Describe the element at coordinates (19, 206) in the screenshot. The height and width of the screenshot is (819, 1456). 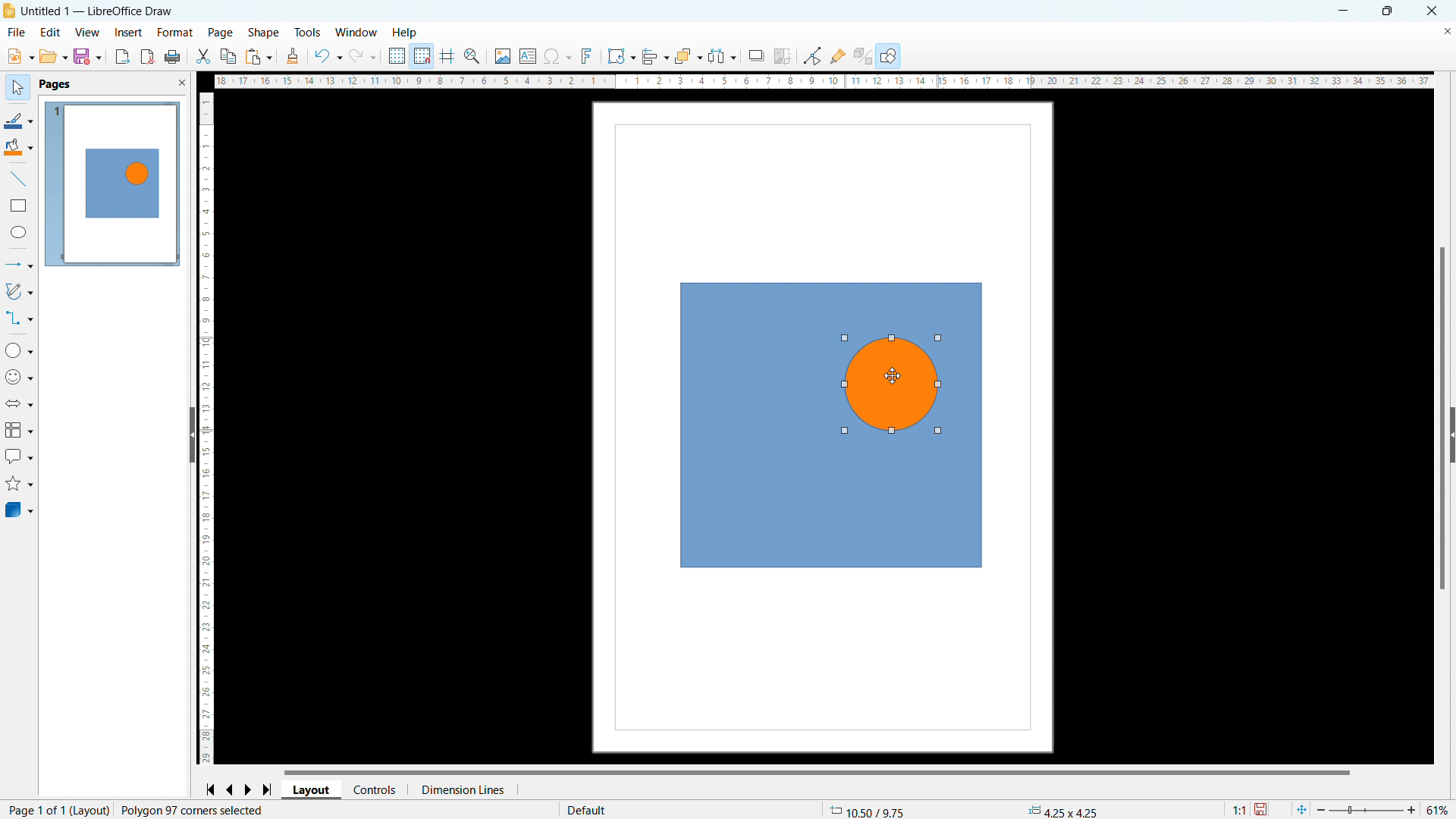
I see `rectangle tool` at that location.